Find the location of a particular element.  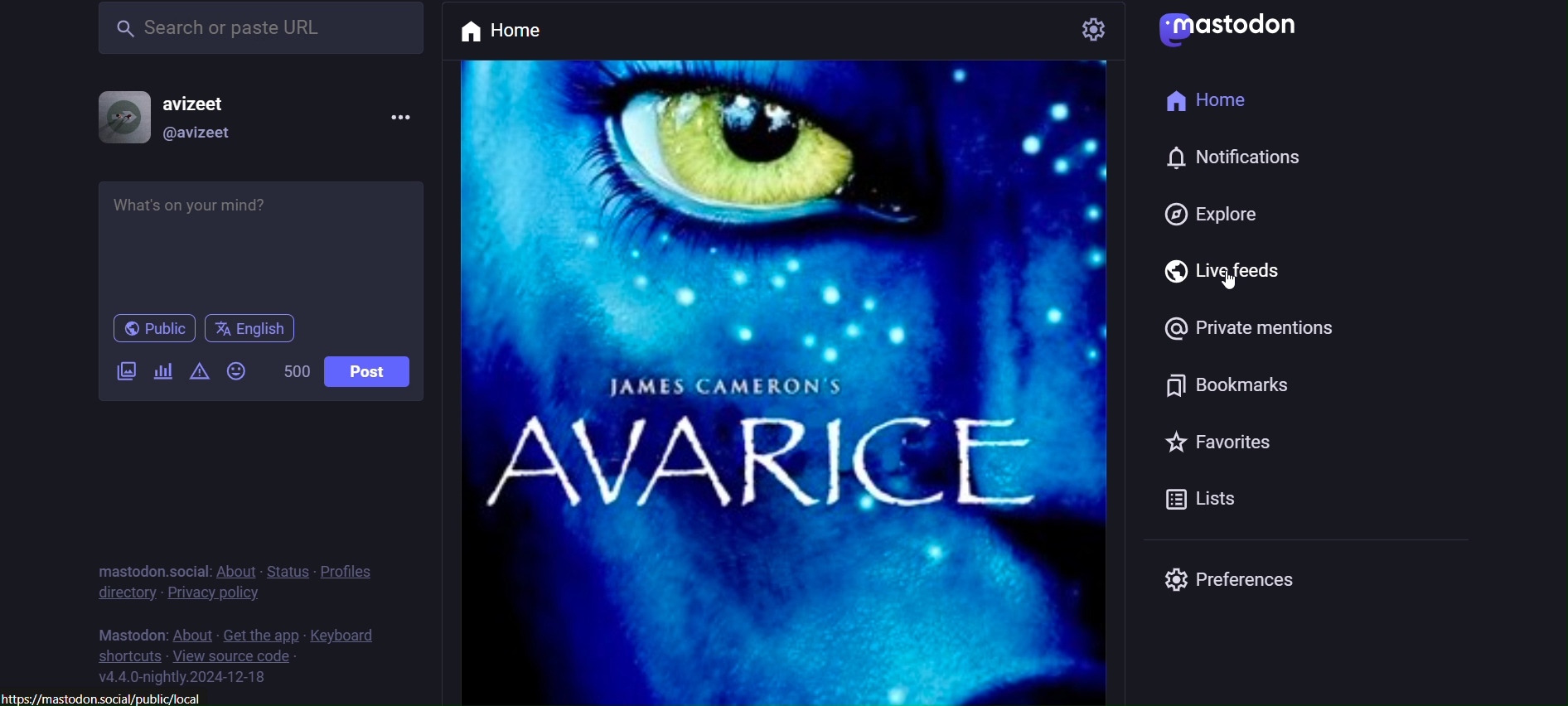

add a poll is located at coordinates (161, 368).